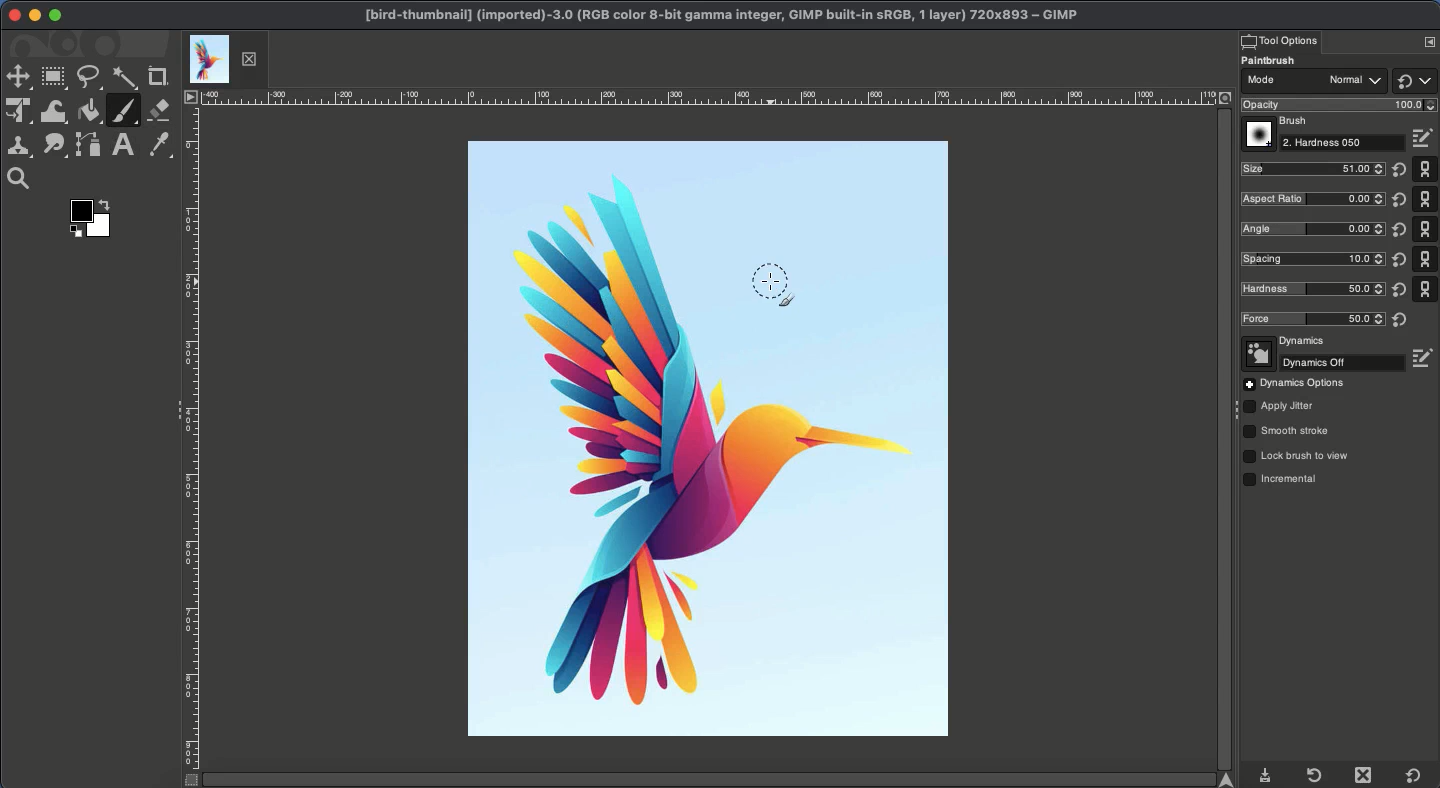 The image size is (1440, 788). What do you see at coordinates (1367, 775) in the screenshot?
I see `Close` at bounding box center [1367, 775].